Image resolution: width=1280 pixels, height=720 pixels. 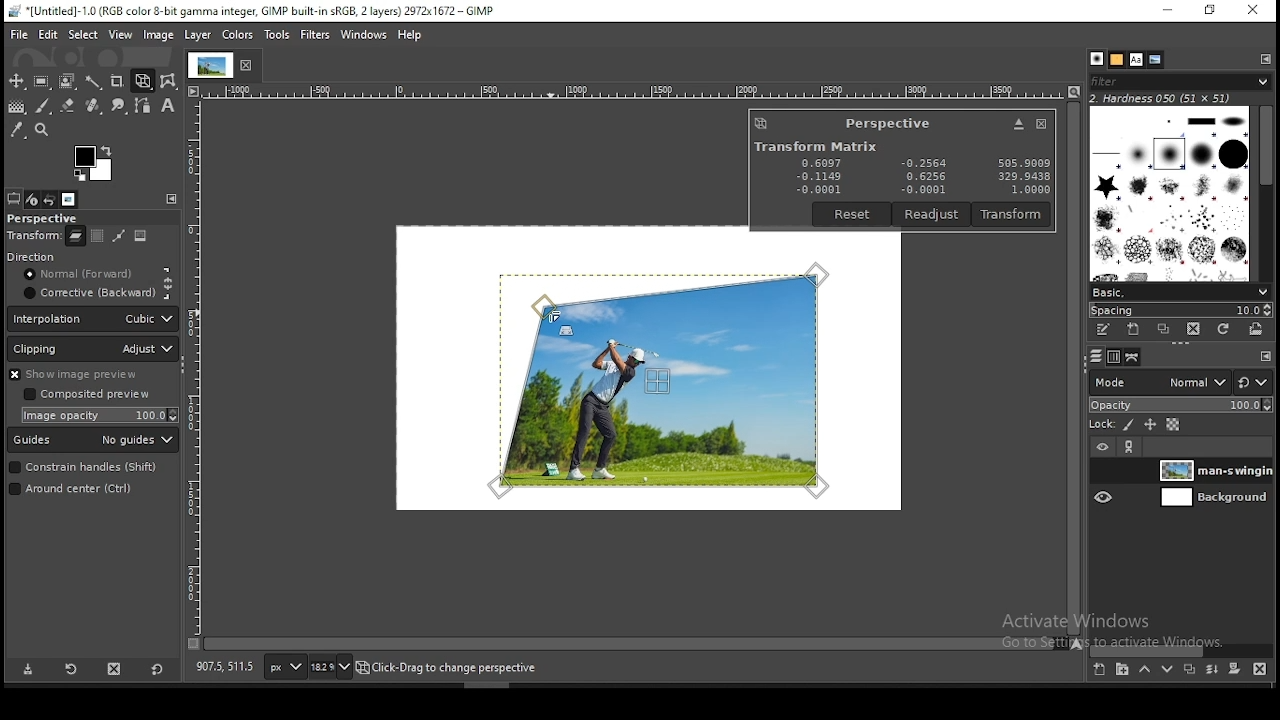 What do you see at coordinates (1260, 668) in the screenshot?
I see `delete layer` at bounding box center [1260, 668].